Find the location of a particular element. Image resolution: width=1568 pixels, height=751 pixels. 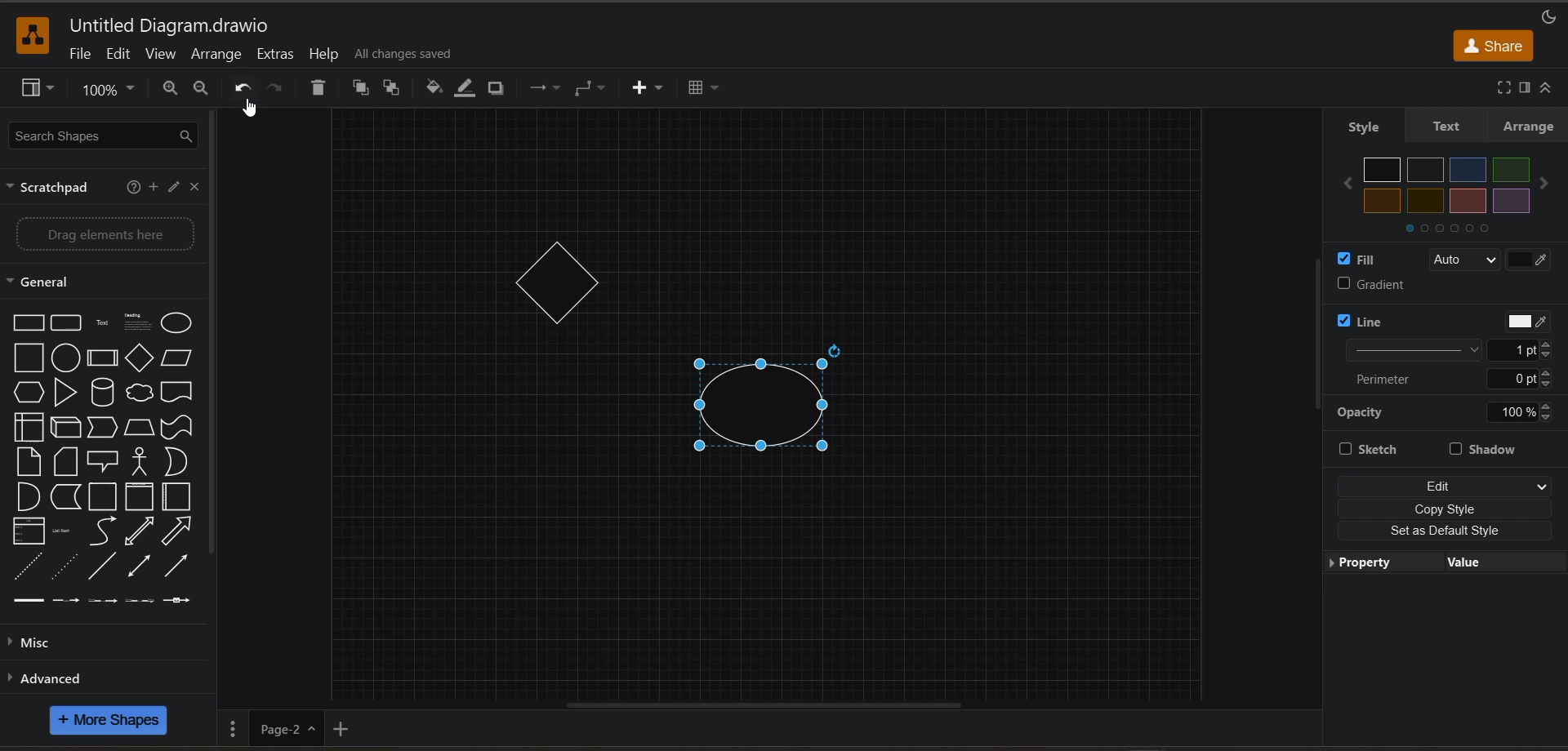

edit is located at coordinates (120, 54).